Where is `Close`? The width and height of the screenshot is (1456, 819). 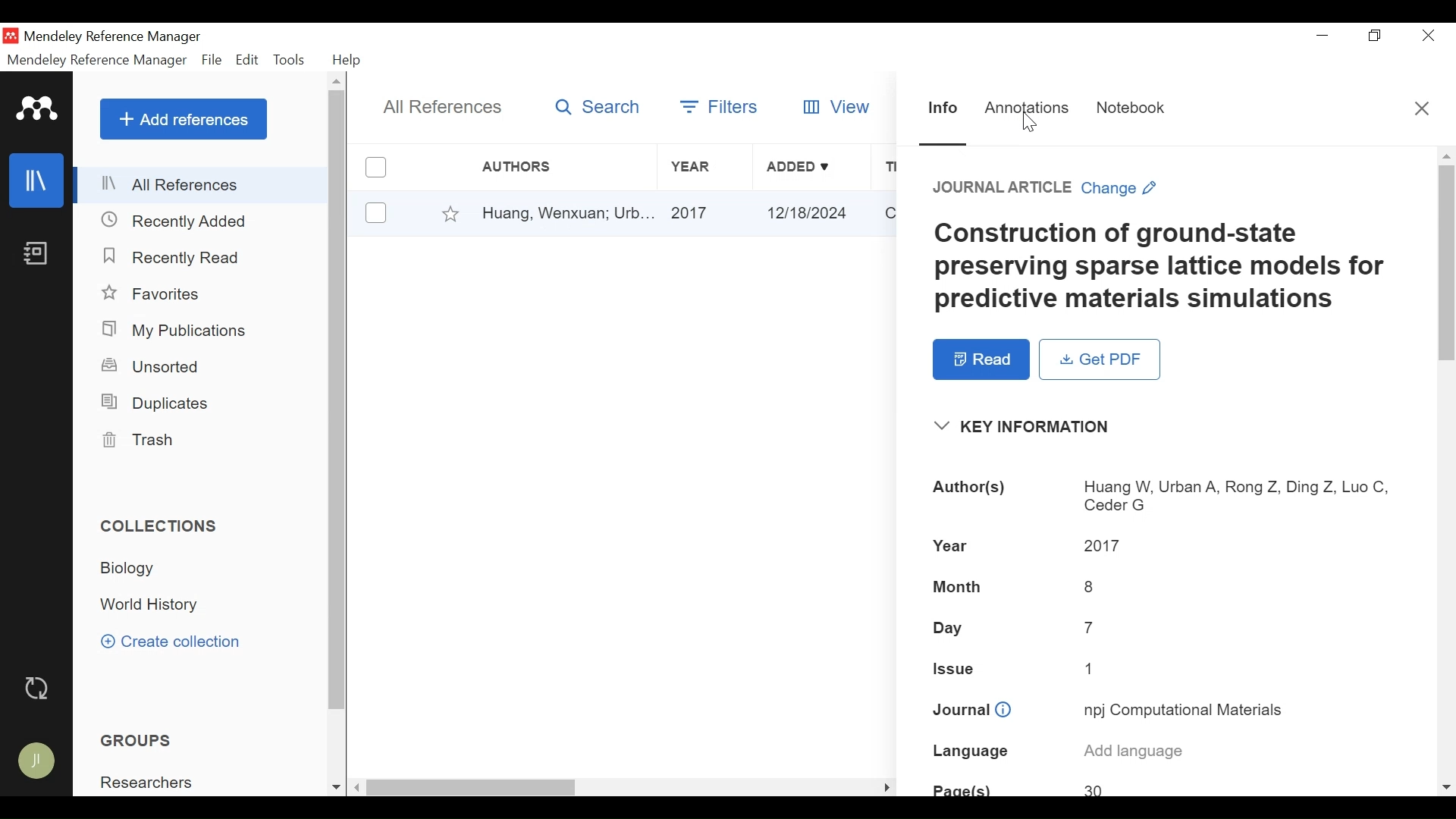
Close is located at coordinates (1429, 37).